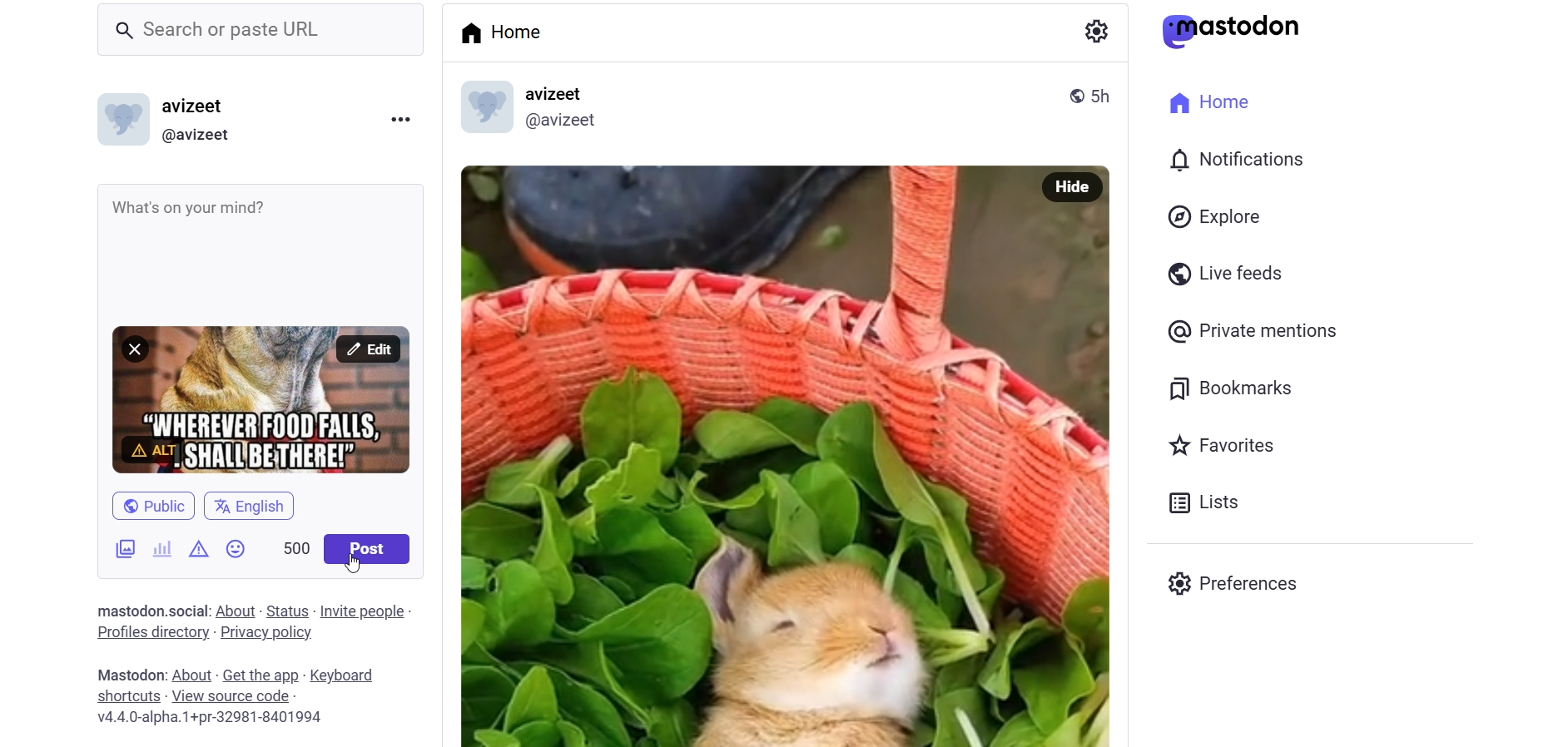 This screenshot has width=1568, height=747. I want to click on preferences, so click(1229, 580).